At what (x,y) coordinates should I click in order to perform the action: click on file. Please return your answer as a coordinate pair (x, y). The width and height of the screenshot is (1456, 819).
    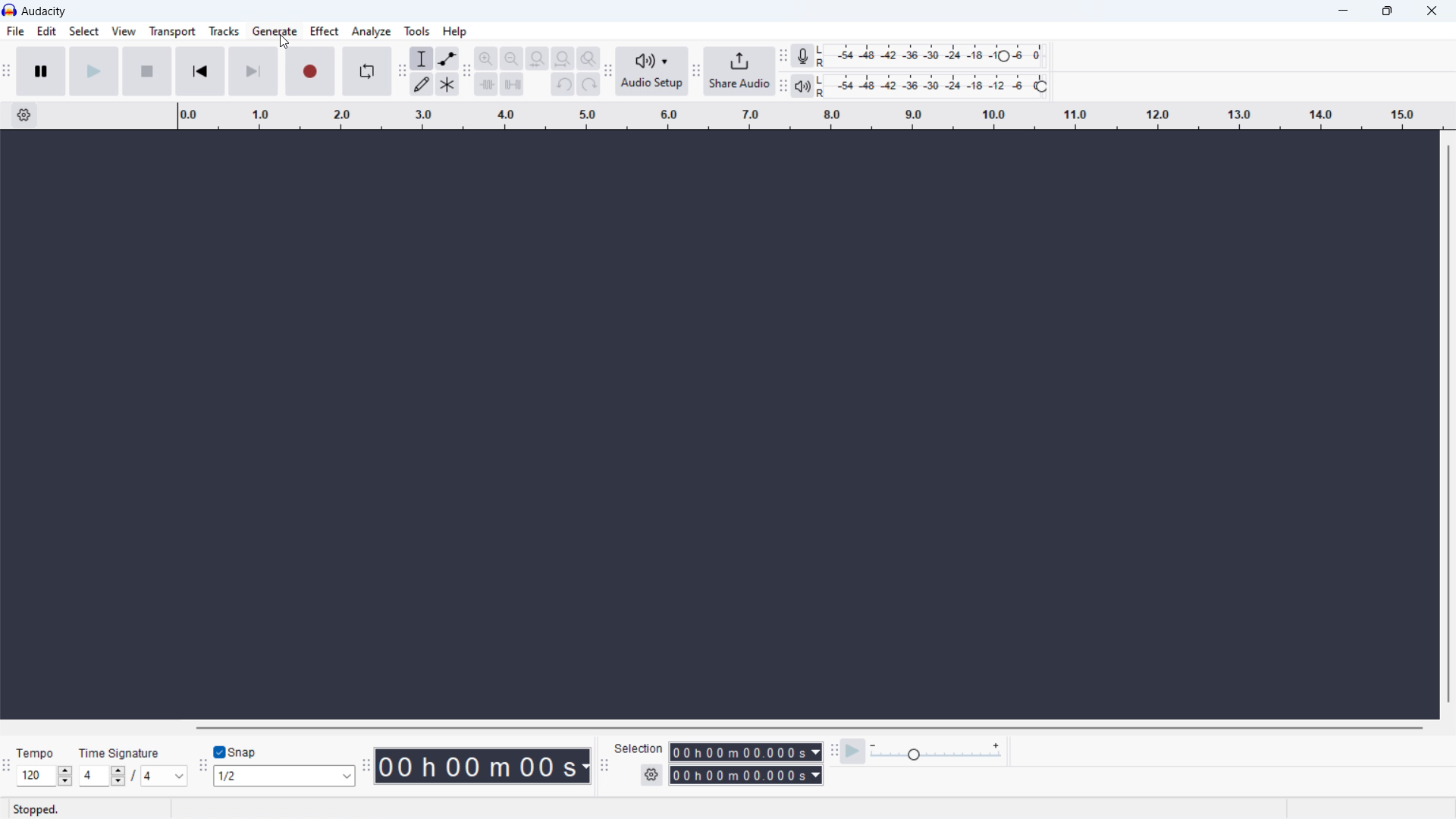
    Looking at the image, I should click on (14, 31).